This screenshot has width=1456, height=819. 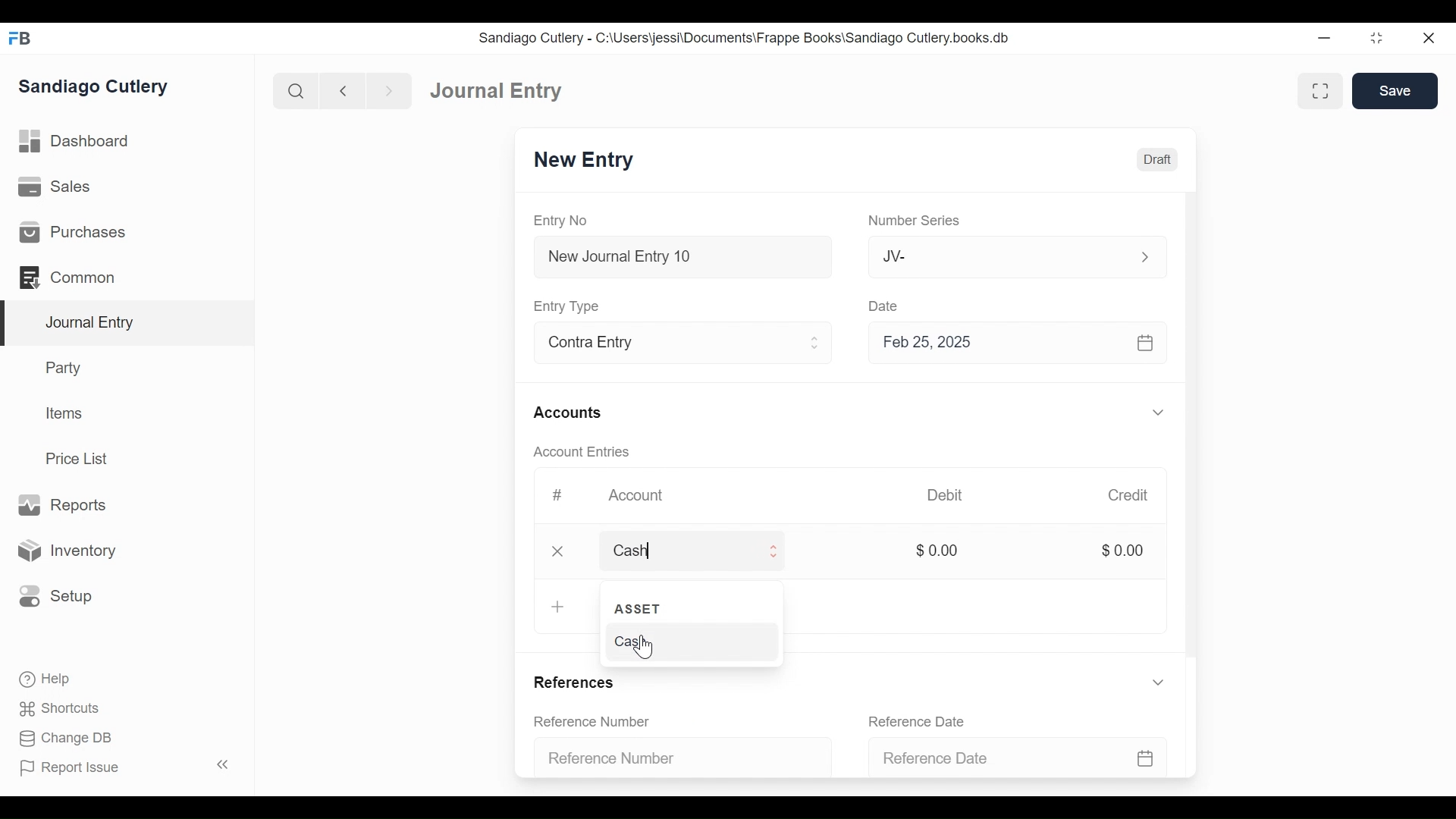 What do you see at coordinates (55, 708) in the screenshot?
I see `Shortcuts` at bounding box center [55, 708].